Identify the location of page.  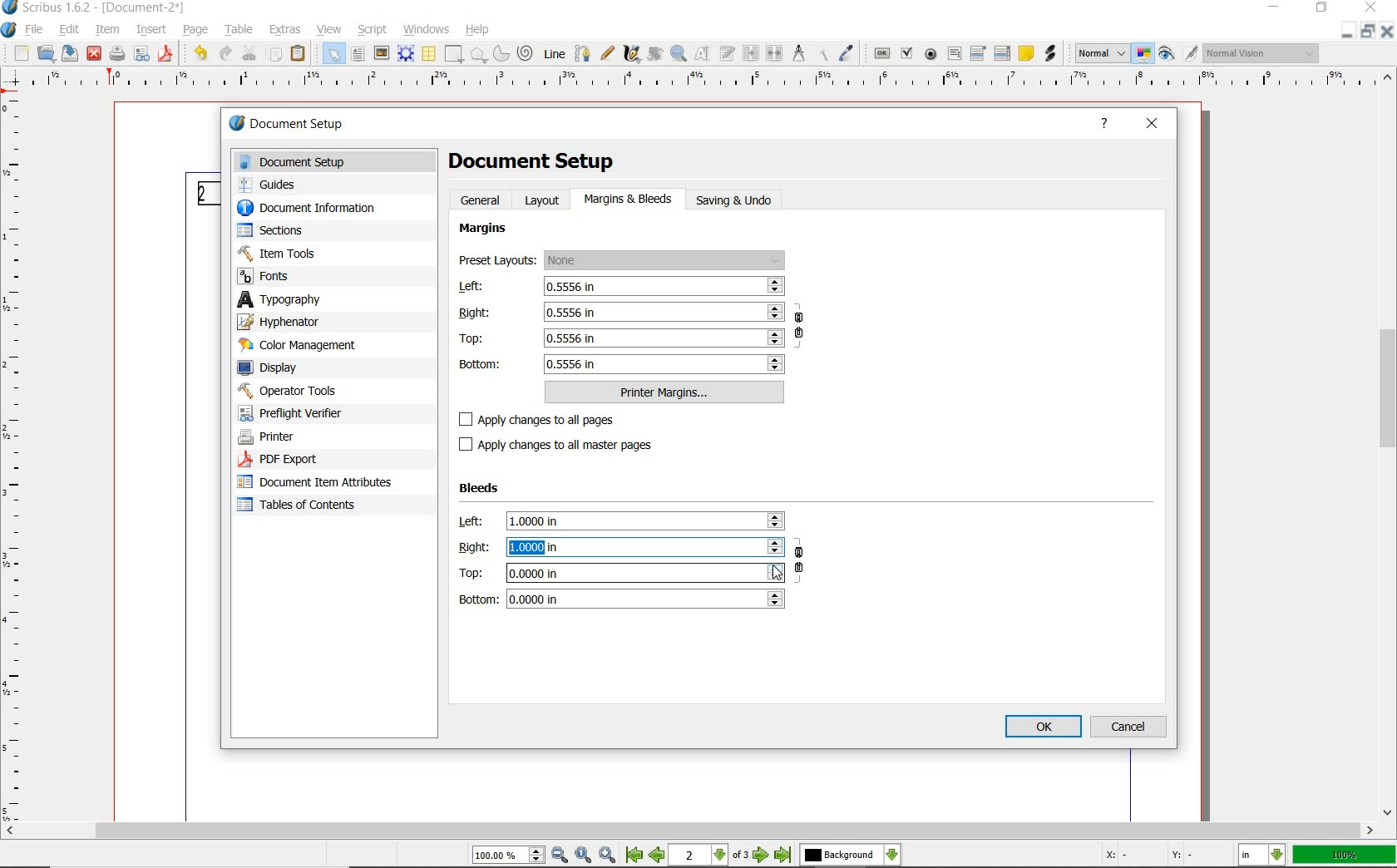
(197, 31).